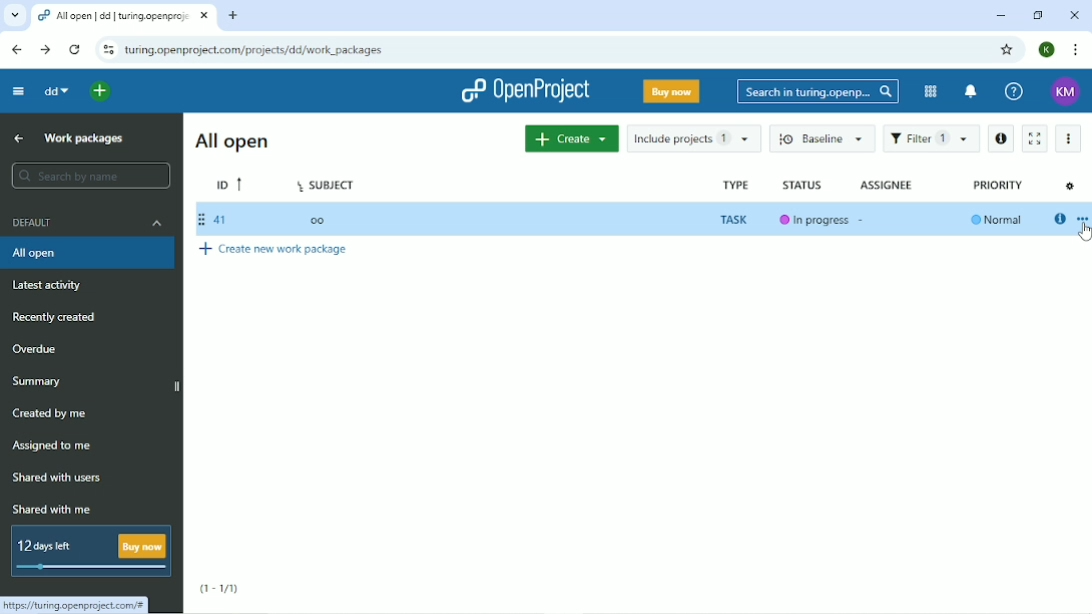 The height and width of the screenshot is (614, 1092). Describe the element at coordinates (733, 184) in the screenshot. I see `Type` at that location.